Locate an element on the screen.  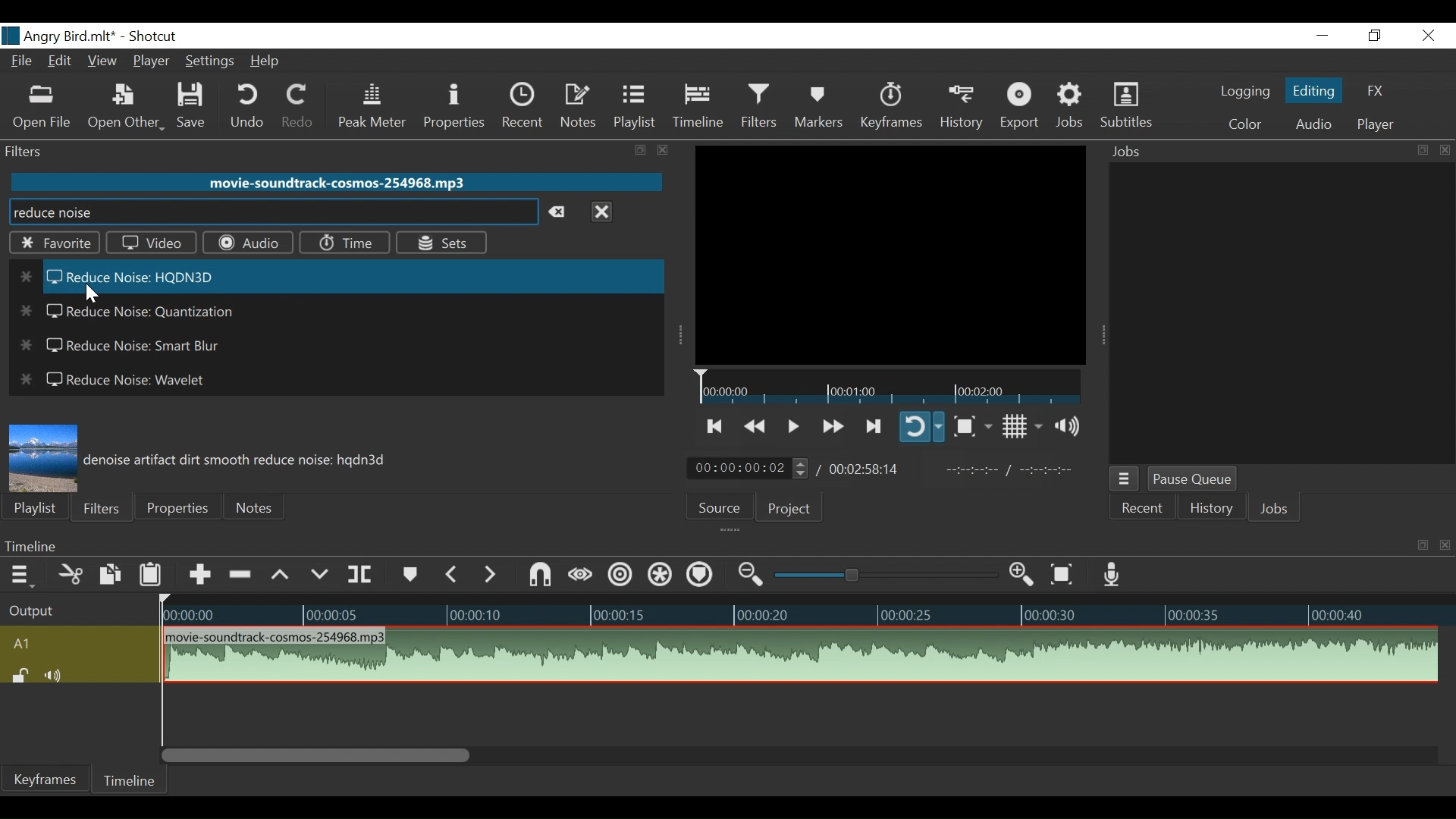
Lift is located at coordinates (281, 575).